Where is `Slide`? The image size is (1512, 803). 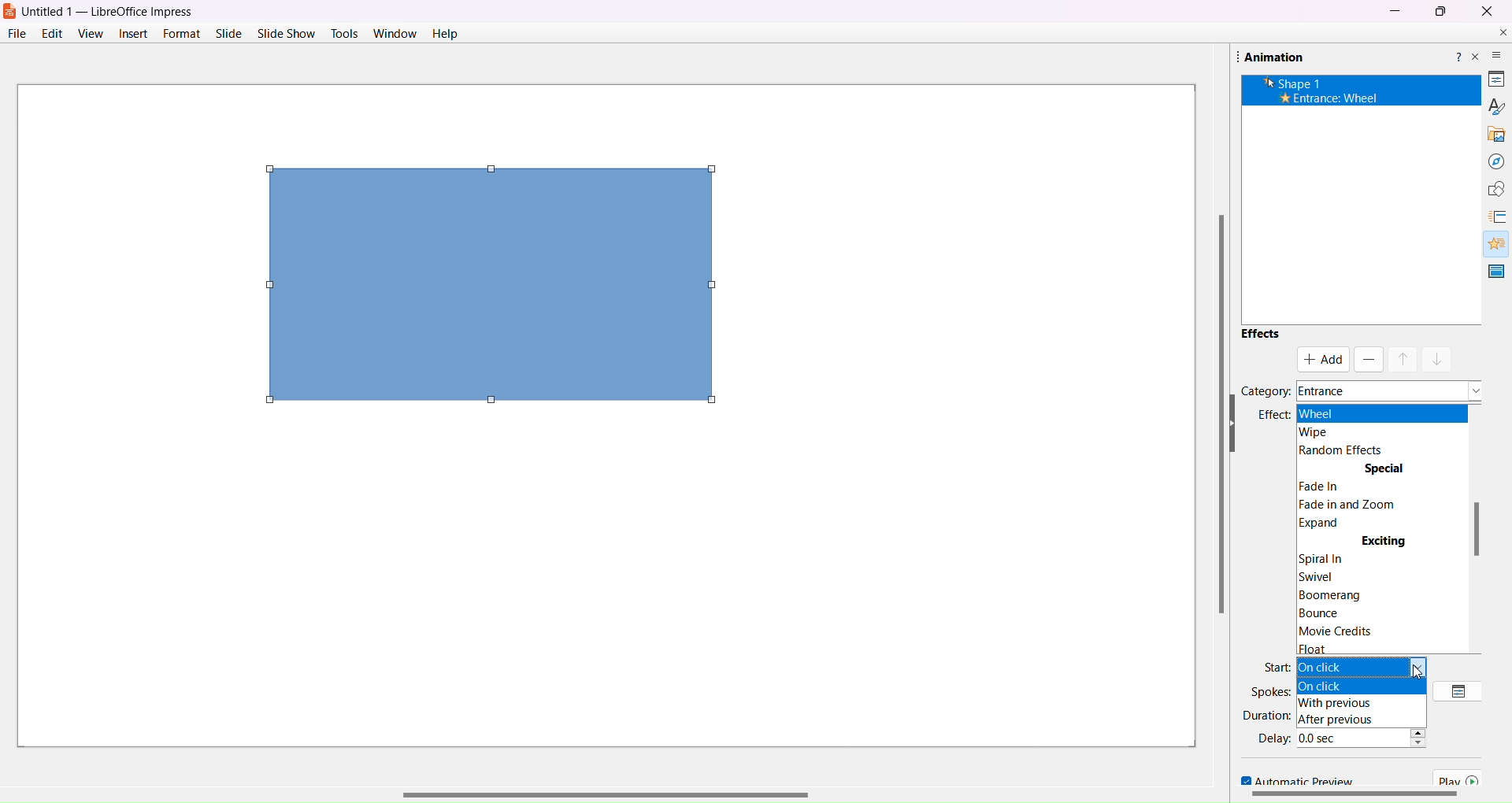 Slide is located at coordinates (228, 33).